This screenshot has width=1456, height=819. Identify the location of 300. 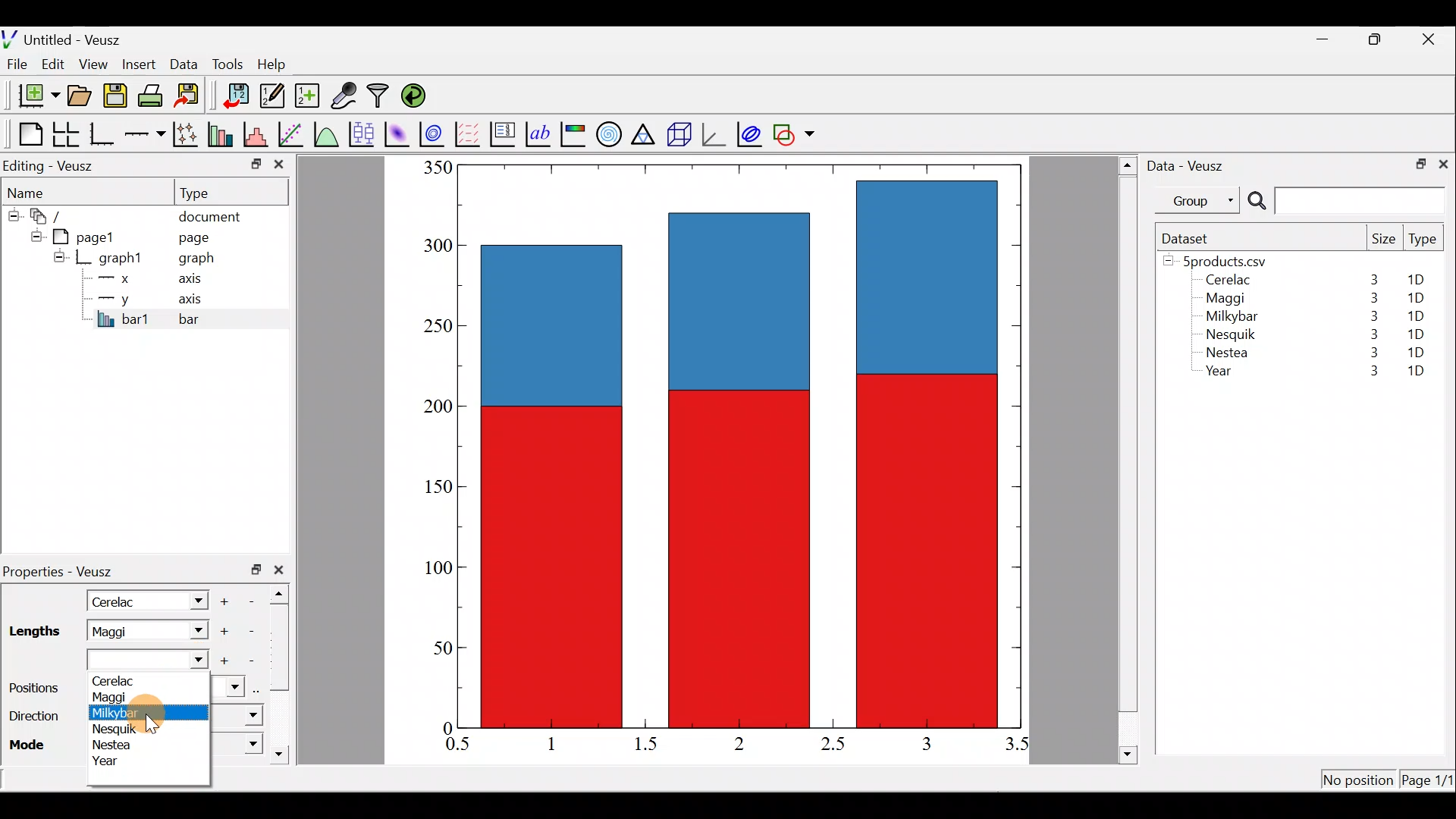
(436, 246).